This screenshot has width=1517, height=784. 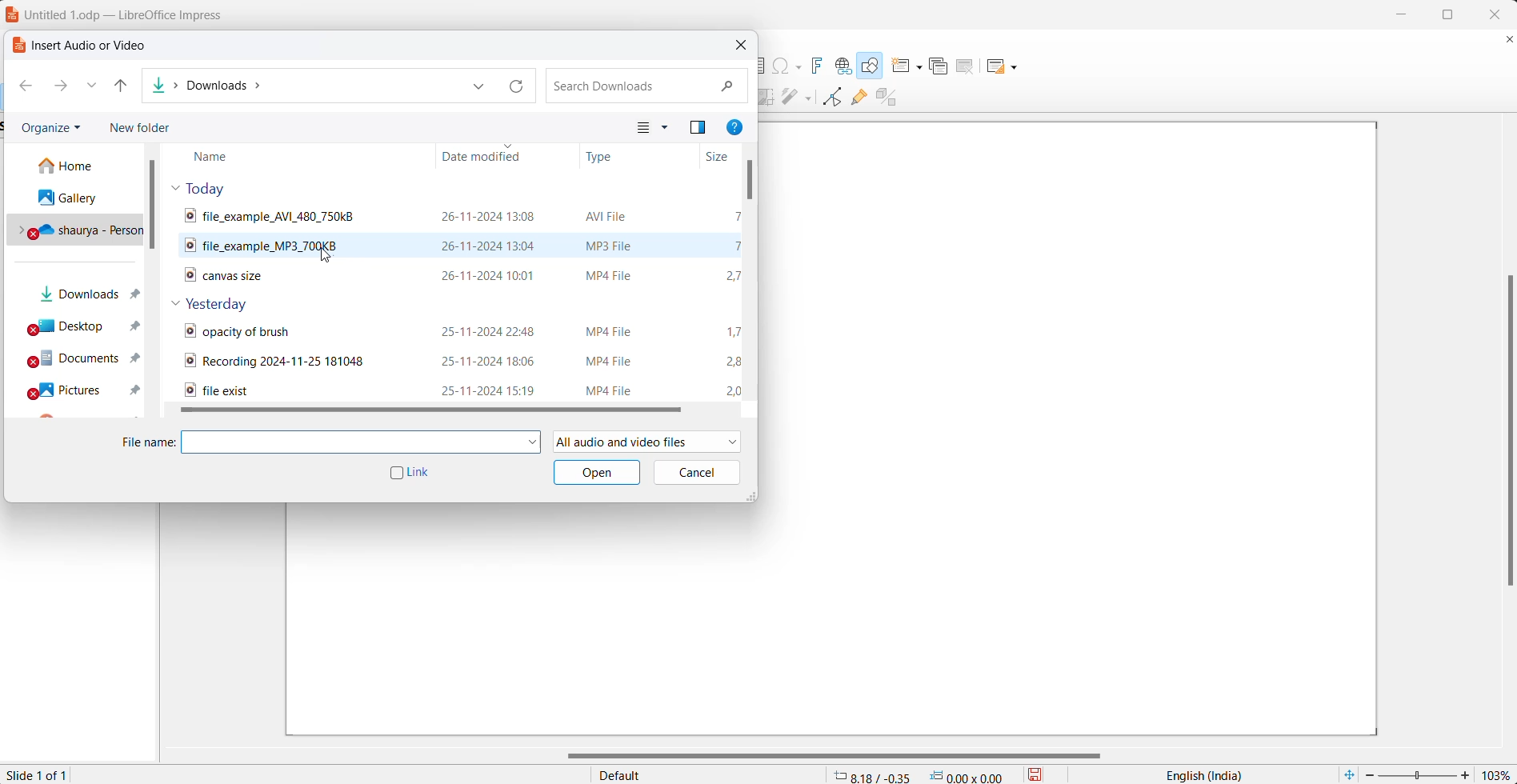 What do you see at coordinates (701, 126) in the screenshot?
I see `show the preview pane` at bounding box center [701, 126].